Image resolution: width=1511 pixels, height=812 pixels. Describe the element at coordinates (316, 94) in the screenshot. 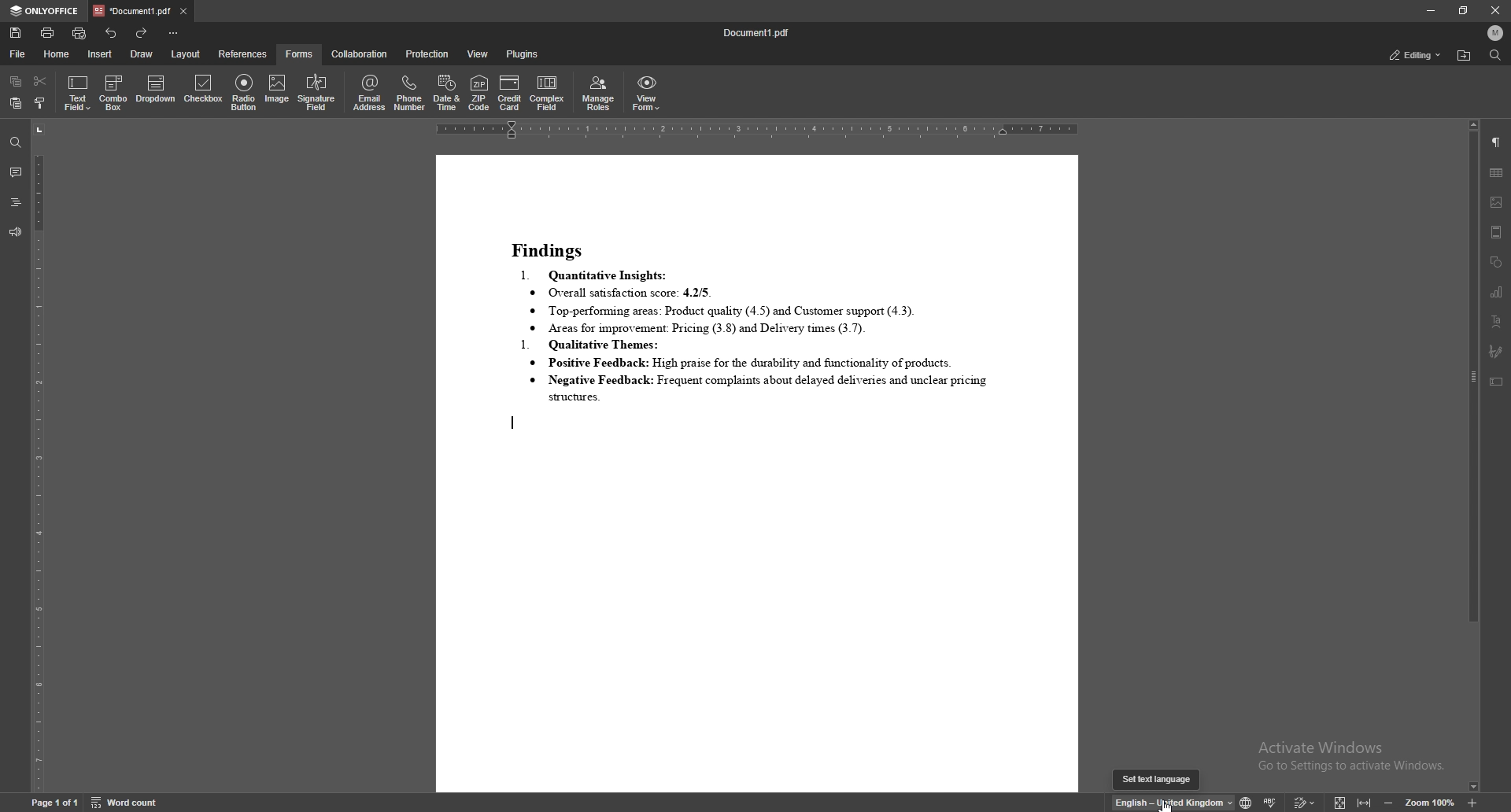

I see `signature field` at that location.